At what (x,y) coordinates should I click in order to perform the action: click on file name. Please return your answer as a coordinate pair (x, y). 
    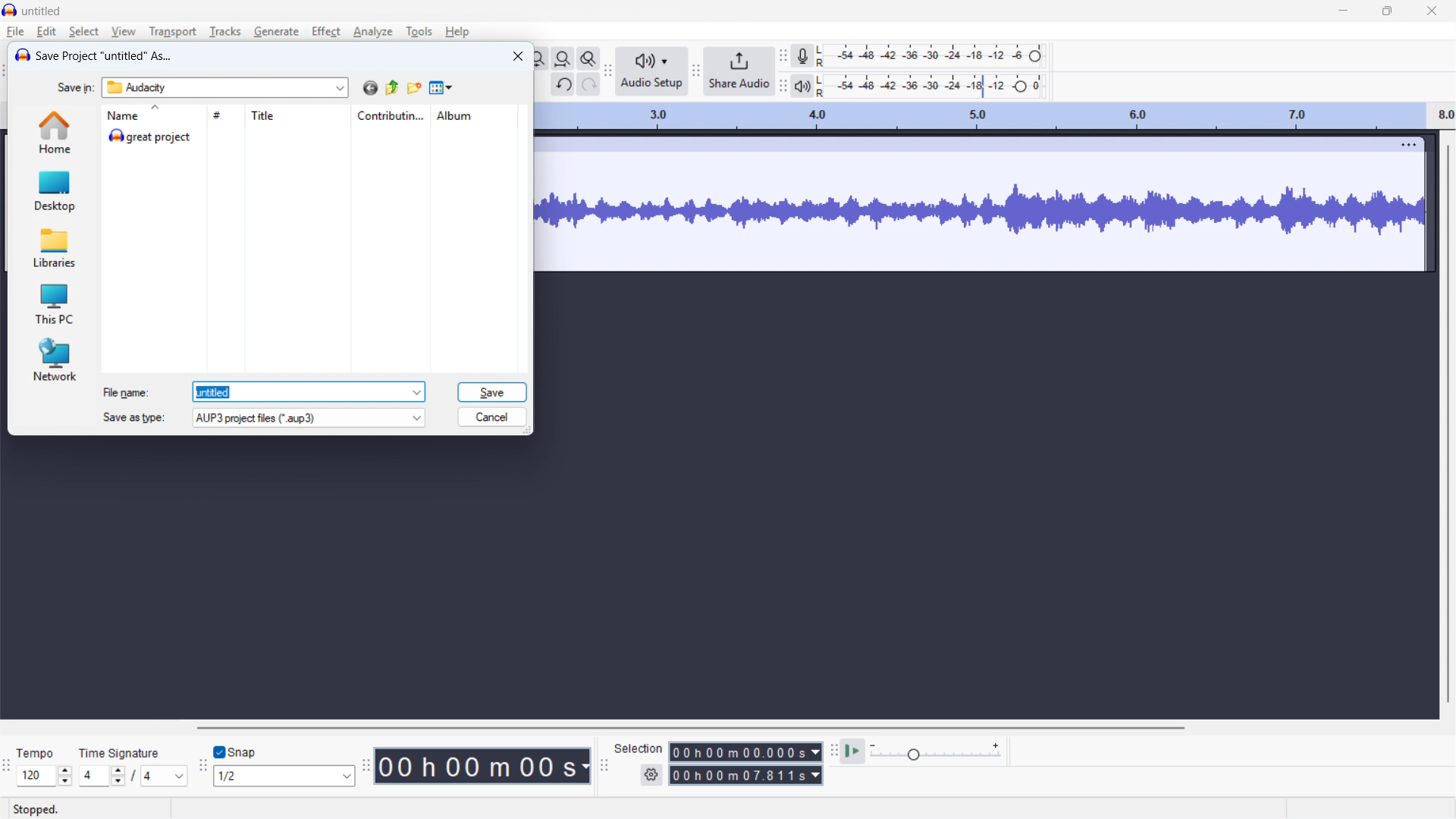
    Looking at the image, I should click on (309, 392).